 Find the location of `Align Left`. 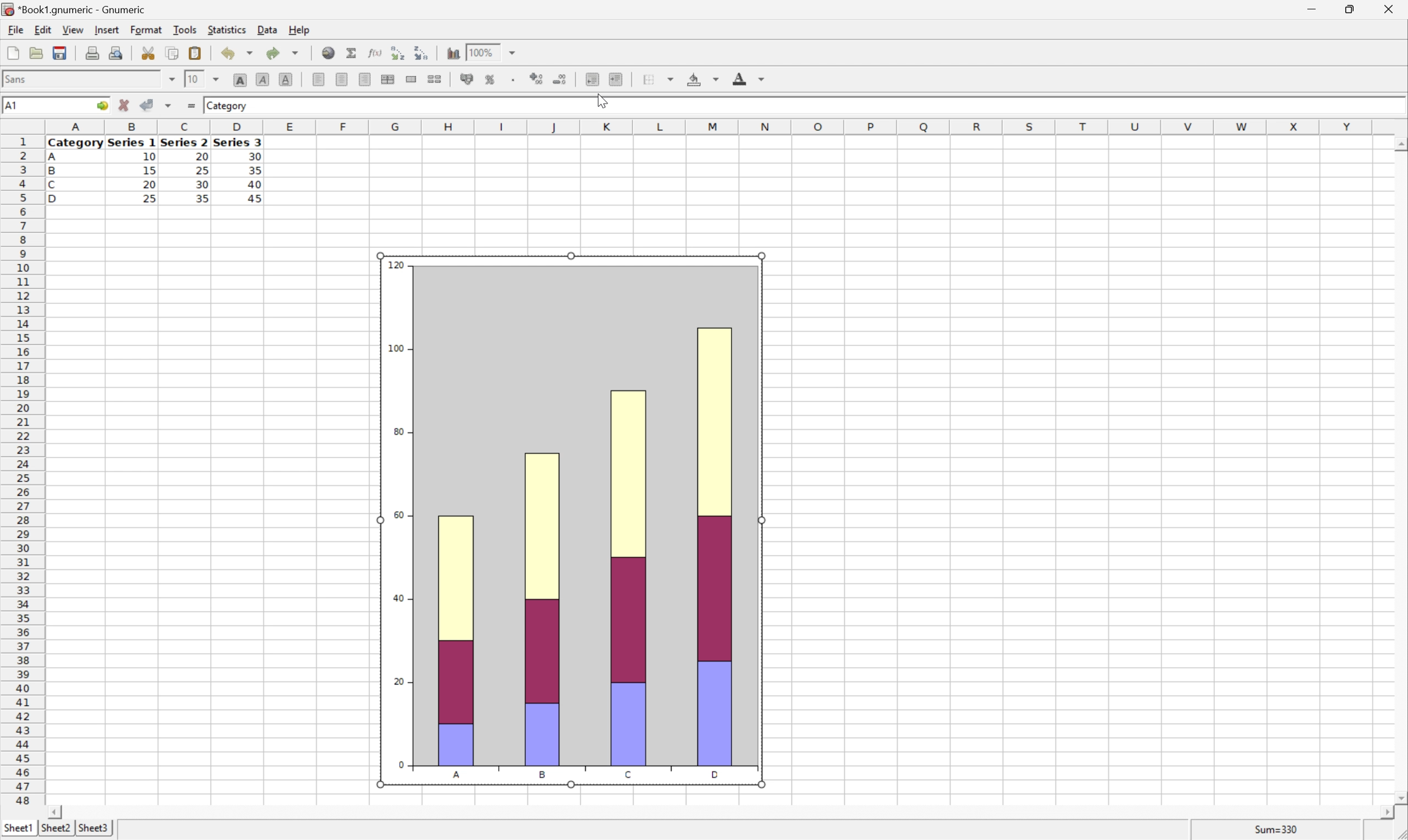

Align Left is located at coordinates (317, 77).